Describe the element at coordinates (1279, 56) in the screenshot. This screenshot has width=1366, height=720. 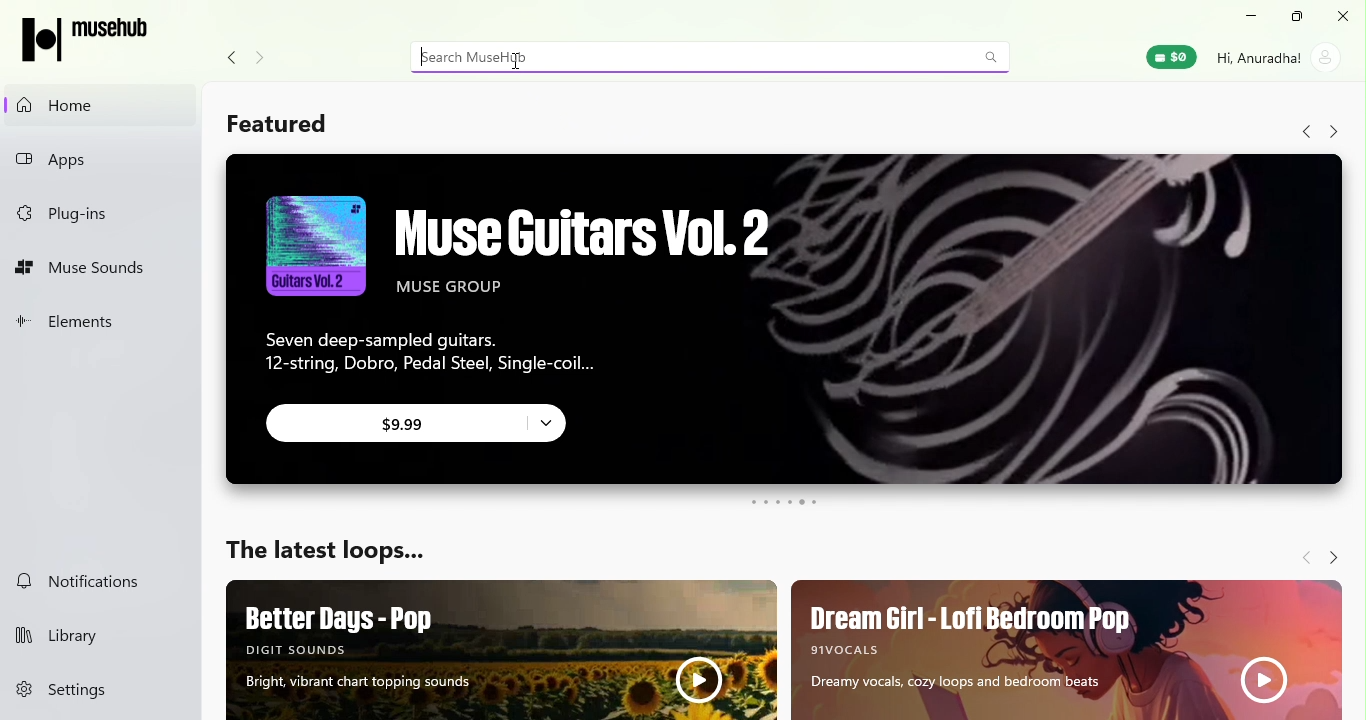
I see `Account` at that location.